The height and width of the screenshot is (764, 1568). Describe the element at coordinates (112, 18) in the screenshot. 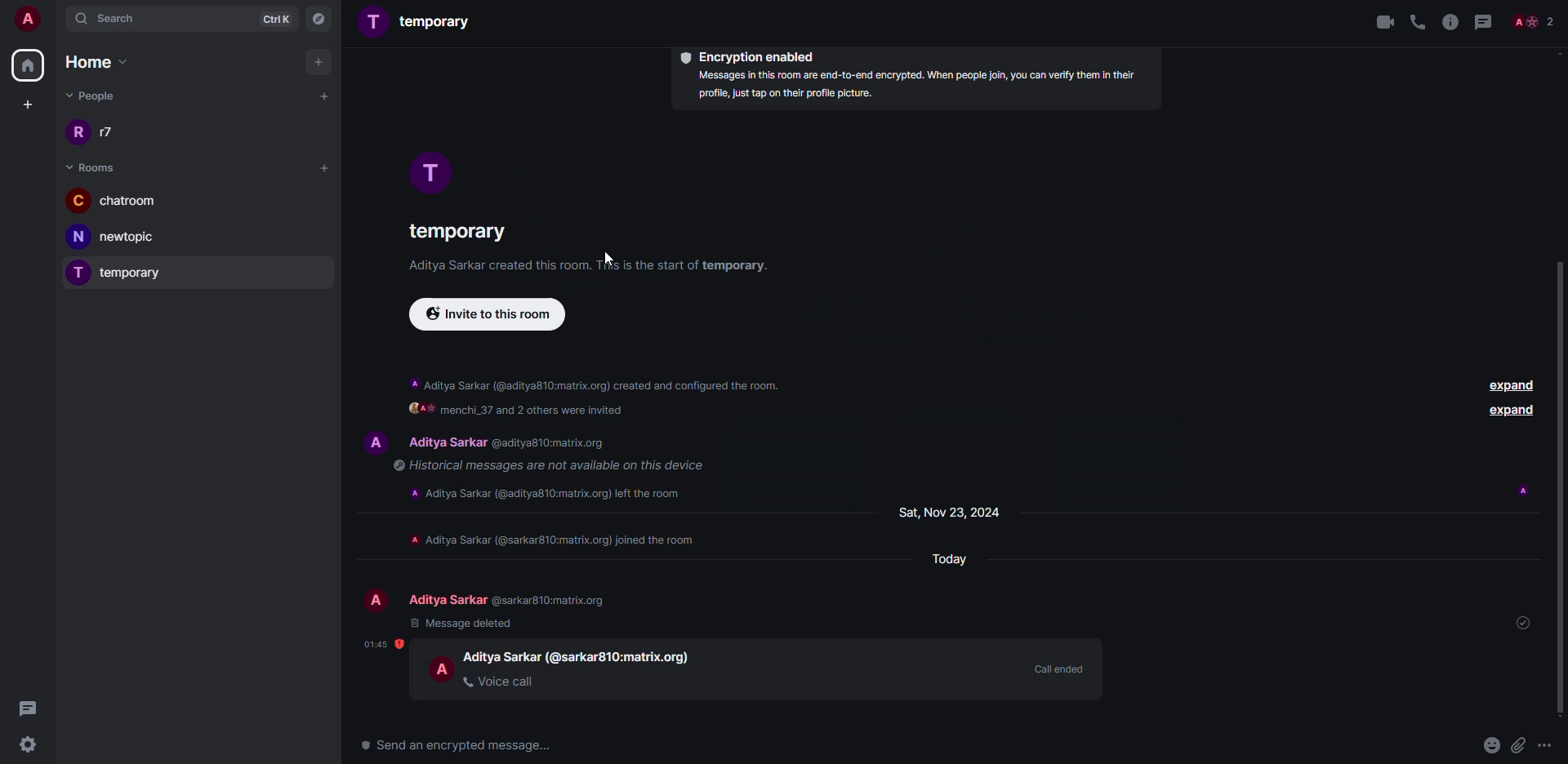

I see `search` at that location.